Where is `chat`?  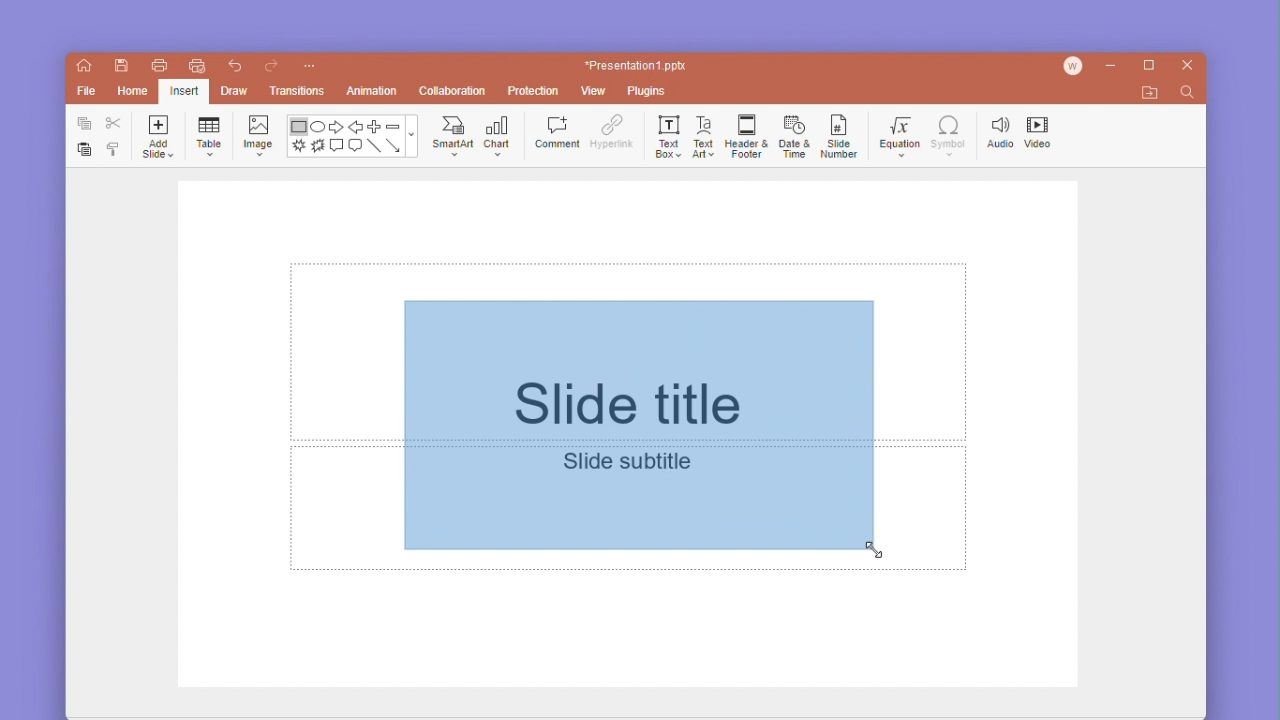 chat is located at coordinates (500, 134).